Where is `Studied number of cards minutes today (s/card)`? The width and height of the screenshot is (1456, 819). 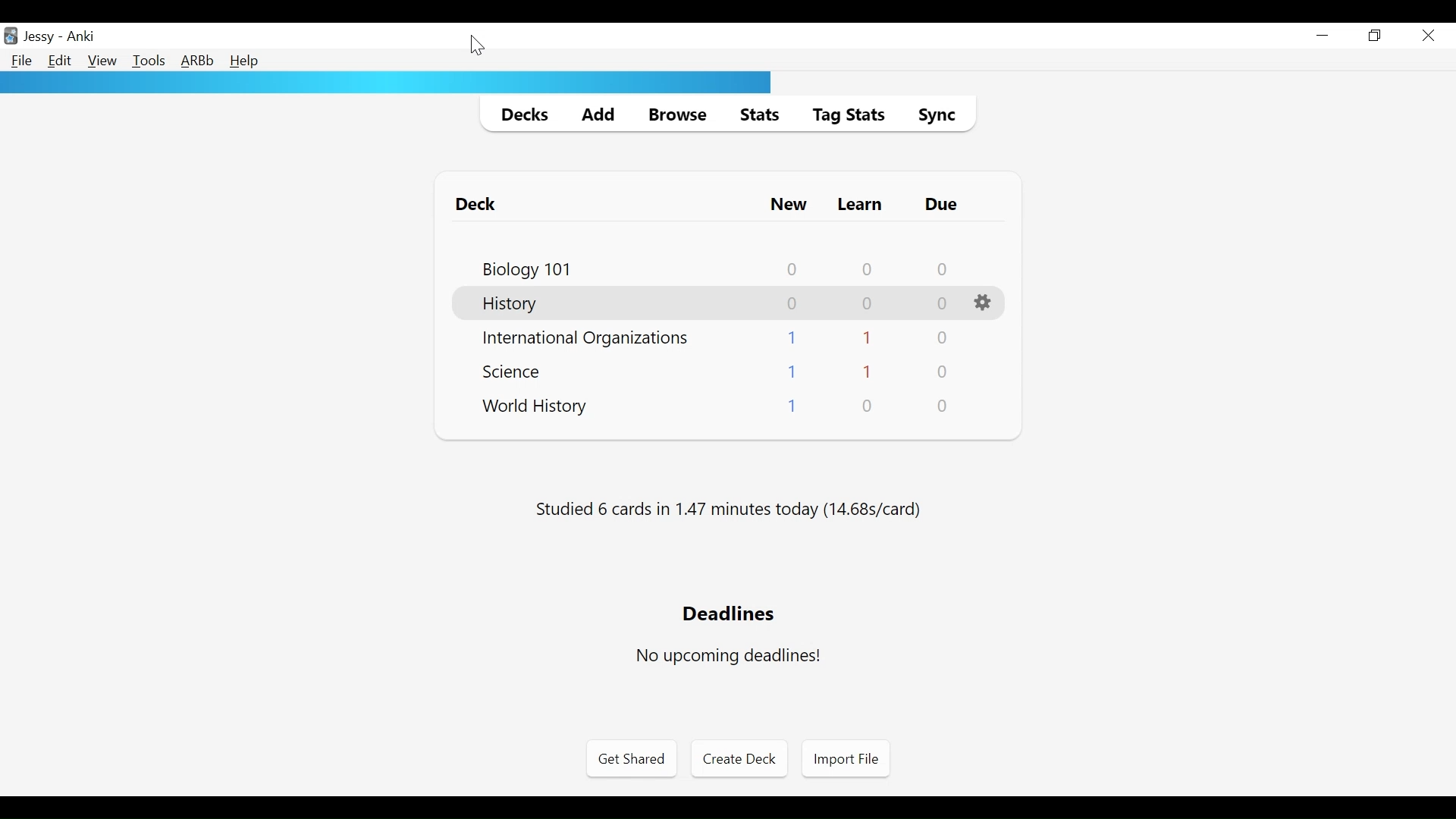 Studied number of cards minutes today (s/card) is located at coordinates (727, 511).